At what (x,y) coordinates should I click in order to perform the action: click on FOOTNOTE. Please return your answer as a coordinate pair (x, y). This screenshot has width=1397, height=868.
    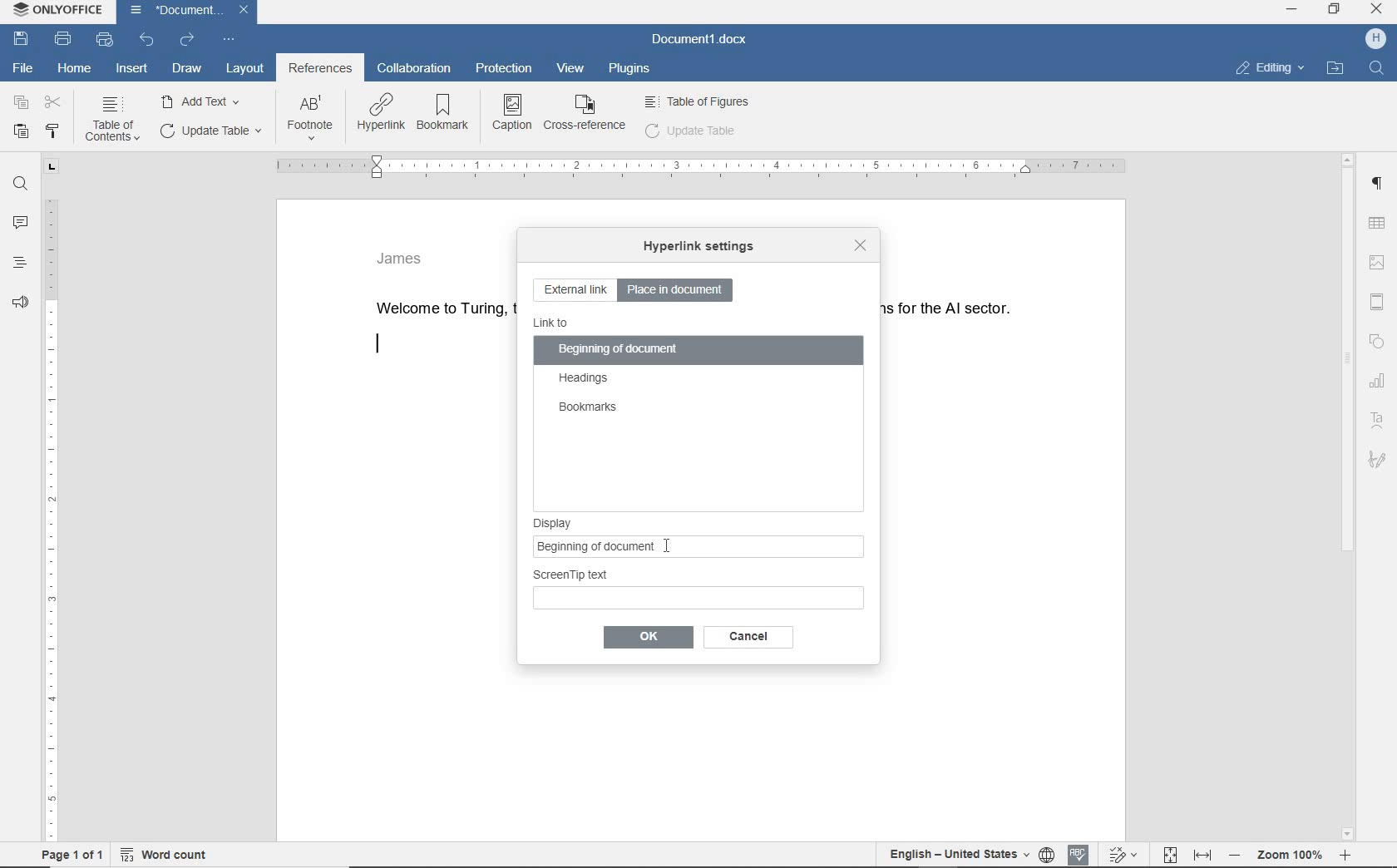
    Looking at the image, I should click on (310, 121).